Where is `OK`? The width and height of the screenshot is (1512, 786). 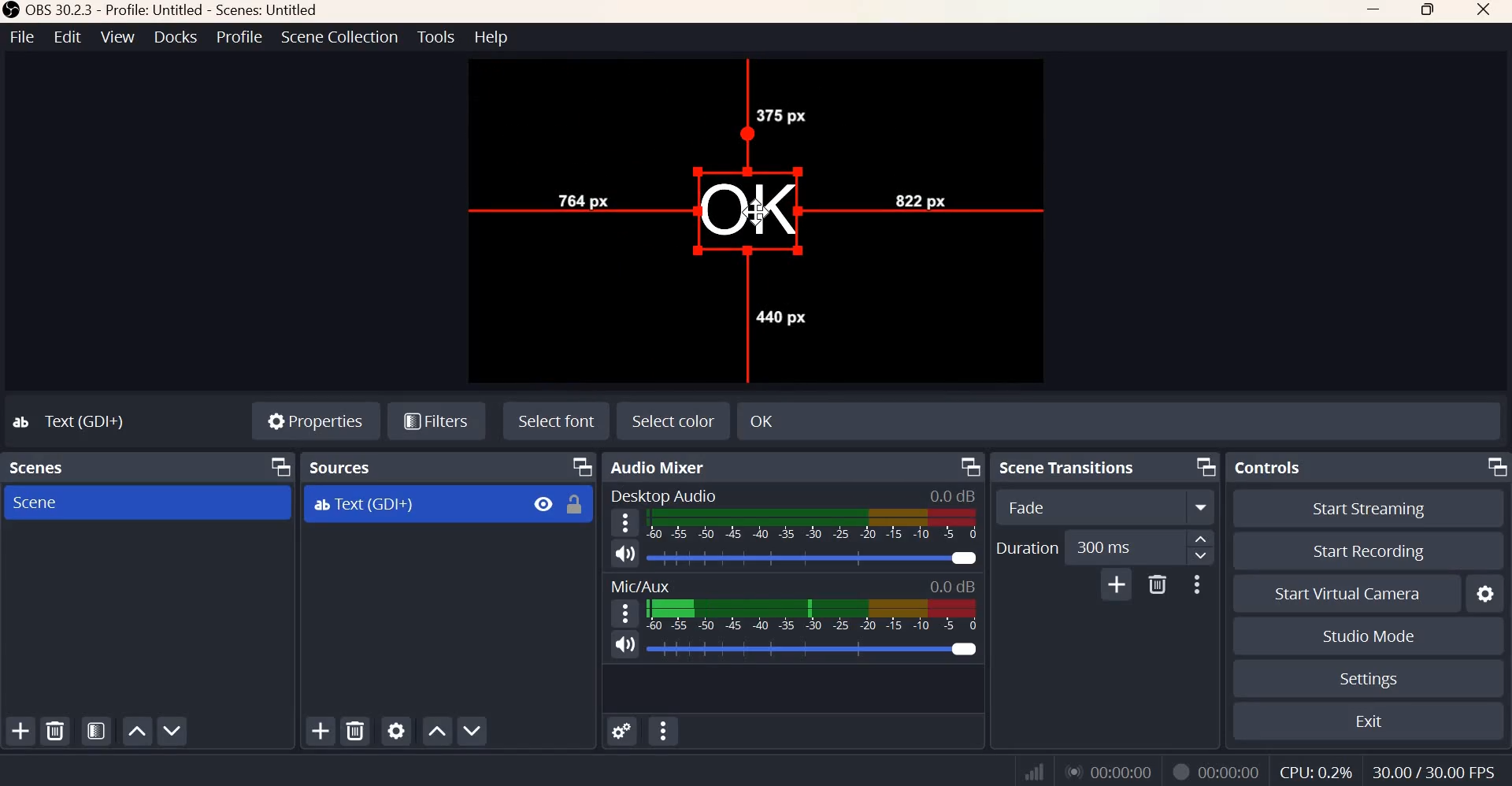
OK is located at coordinates (858, 419).